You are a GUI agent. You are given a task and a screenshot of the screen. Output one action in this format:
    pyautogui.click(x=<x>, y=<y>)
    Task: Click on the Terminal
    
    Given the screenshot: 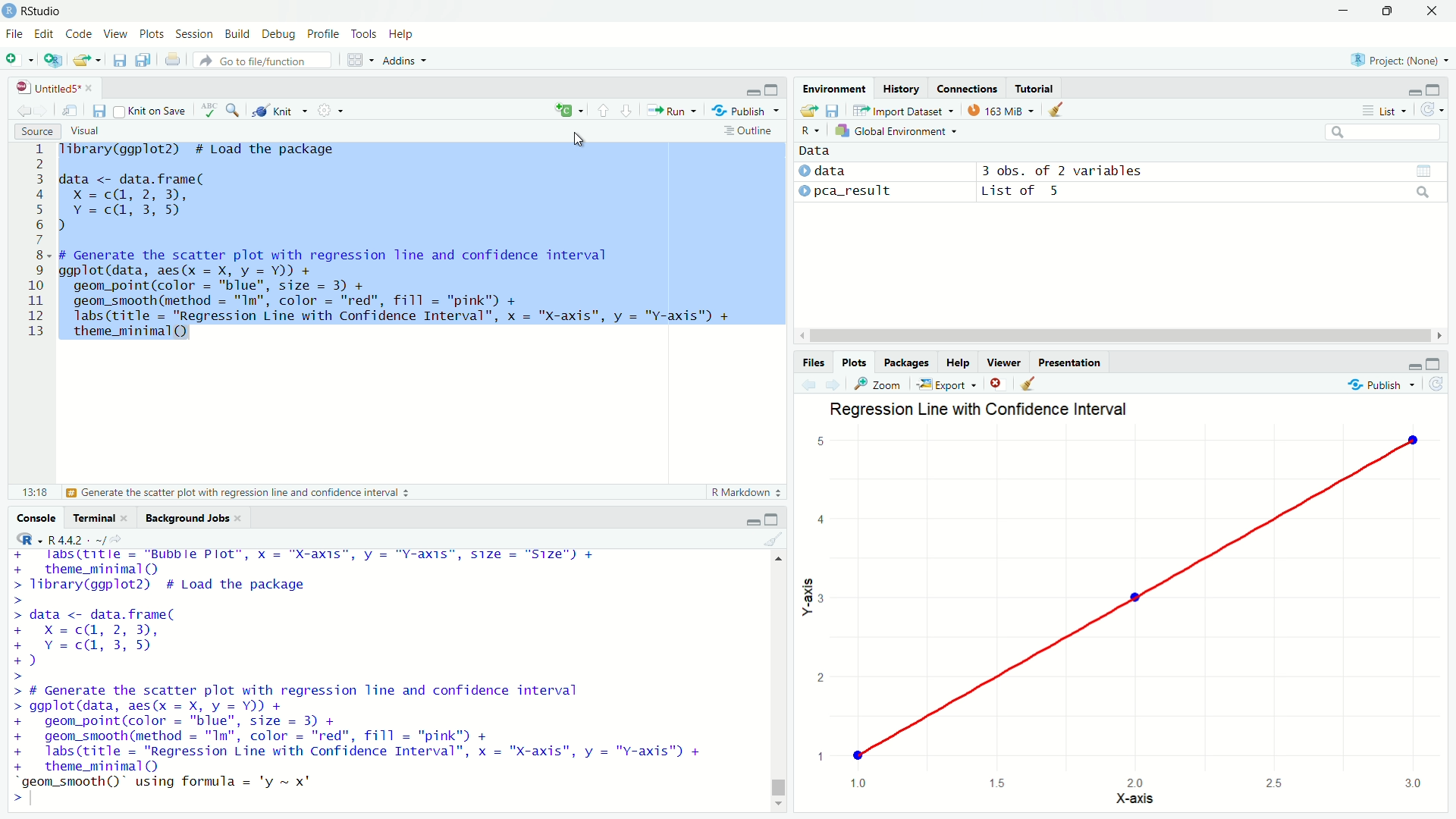 What is the action you would take?
    pyautogui.click(x=90, y=516)
    